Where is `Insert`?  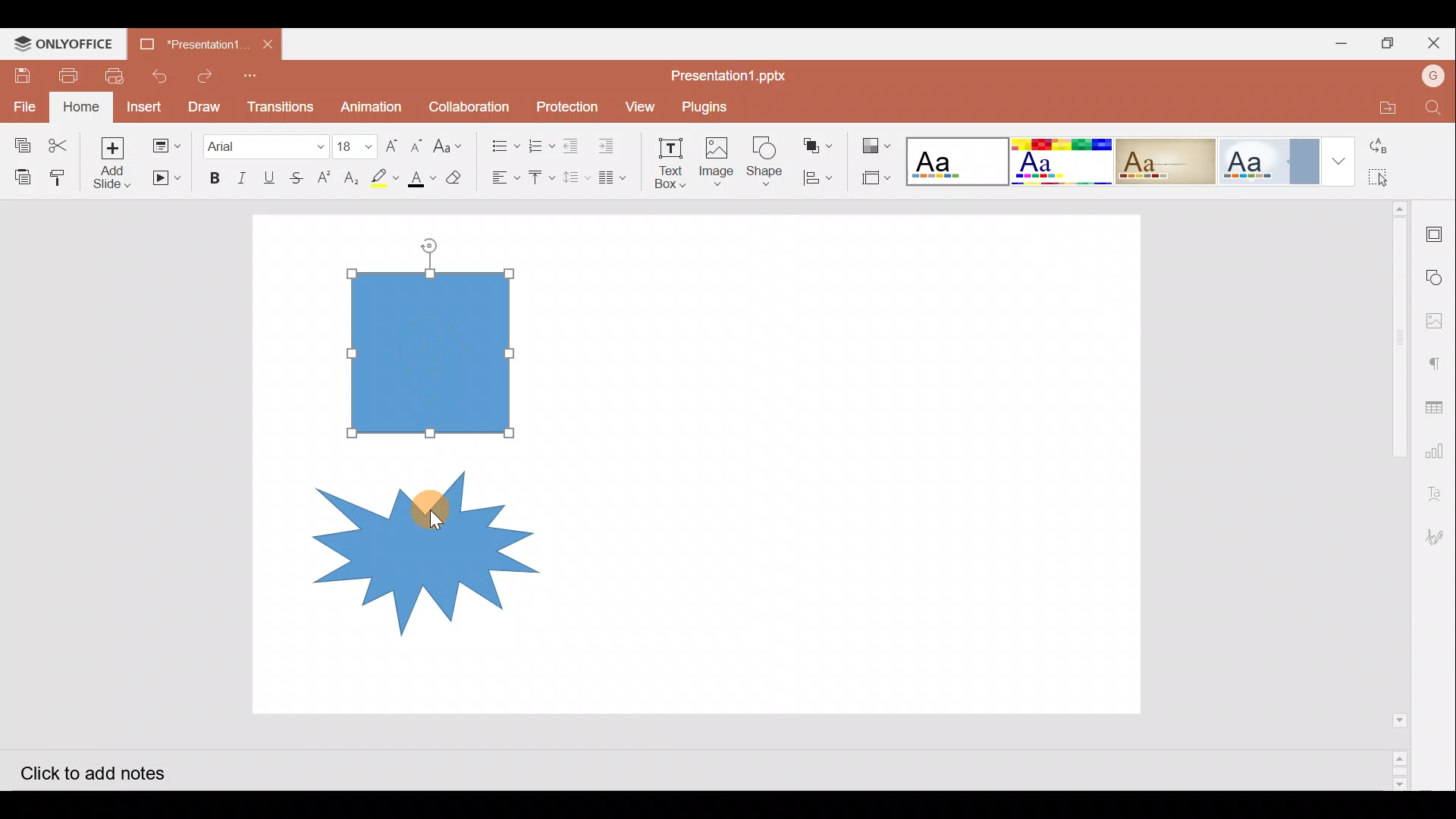
Insert is located at coordinates (146, 105).